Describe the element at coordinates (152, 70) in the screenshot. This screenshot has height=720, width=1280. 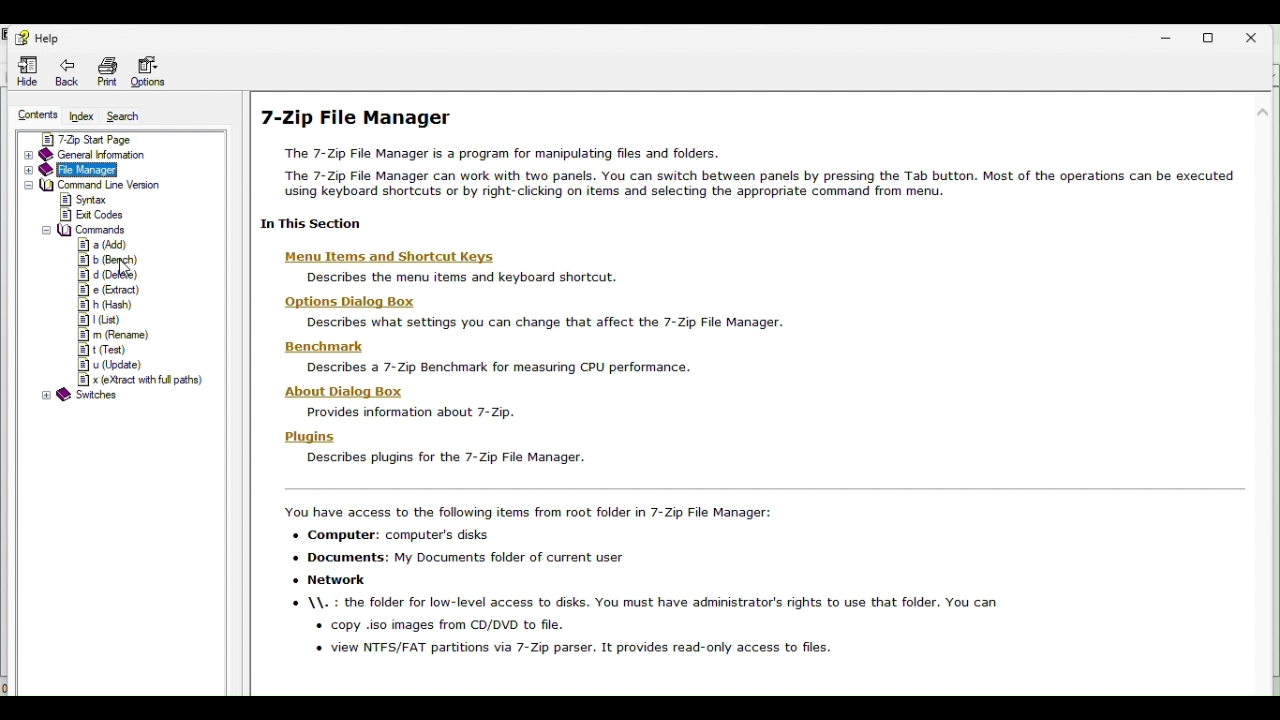
I see `Options` at that location.